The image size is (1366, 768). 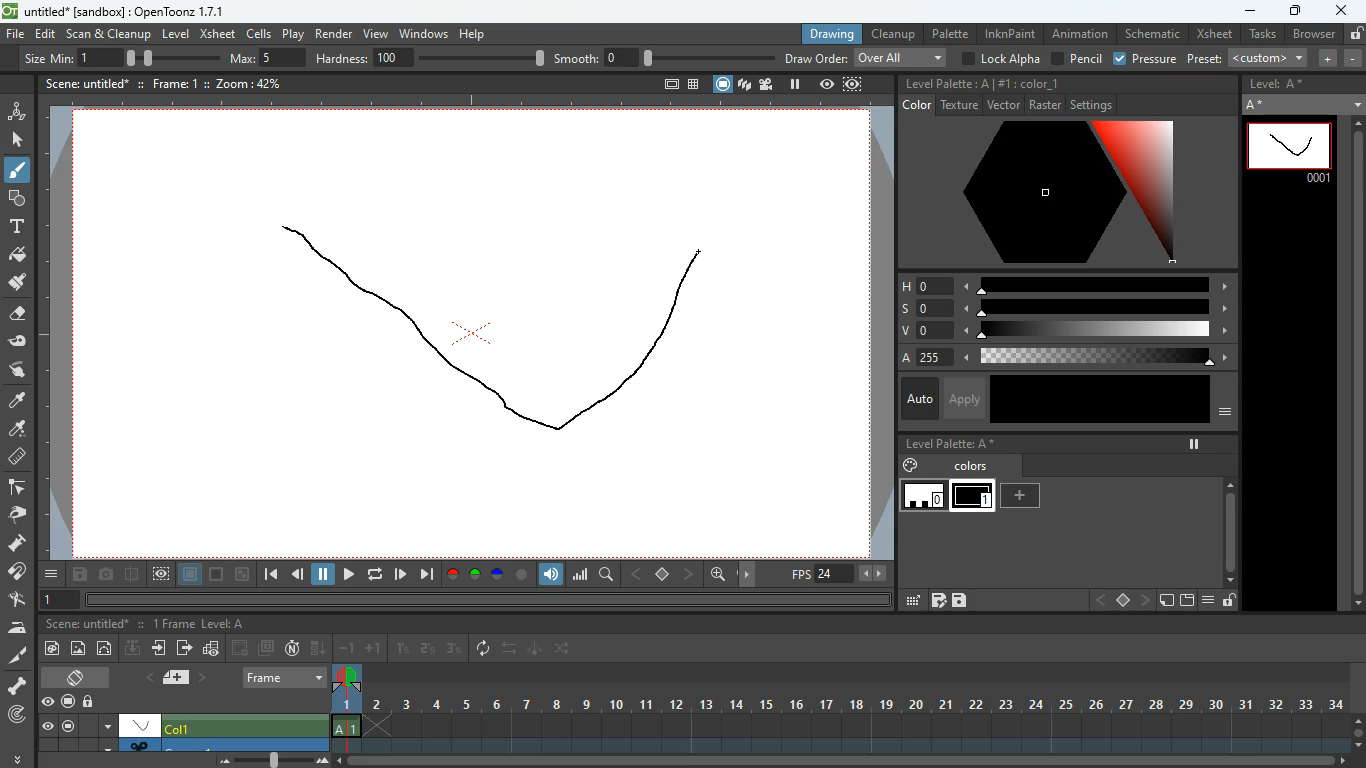 I want to click on browser, so click(x=1313, y=35).